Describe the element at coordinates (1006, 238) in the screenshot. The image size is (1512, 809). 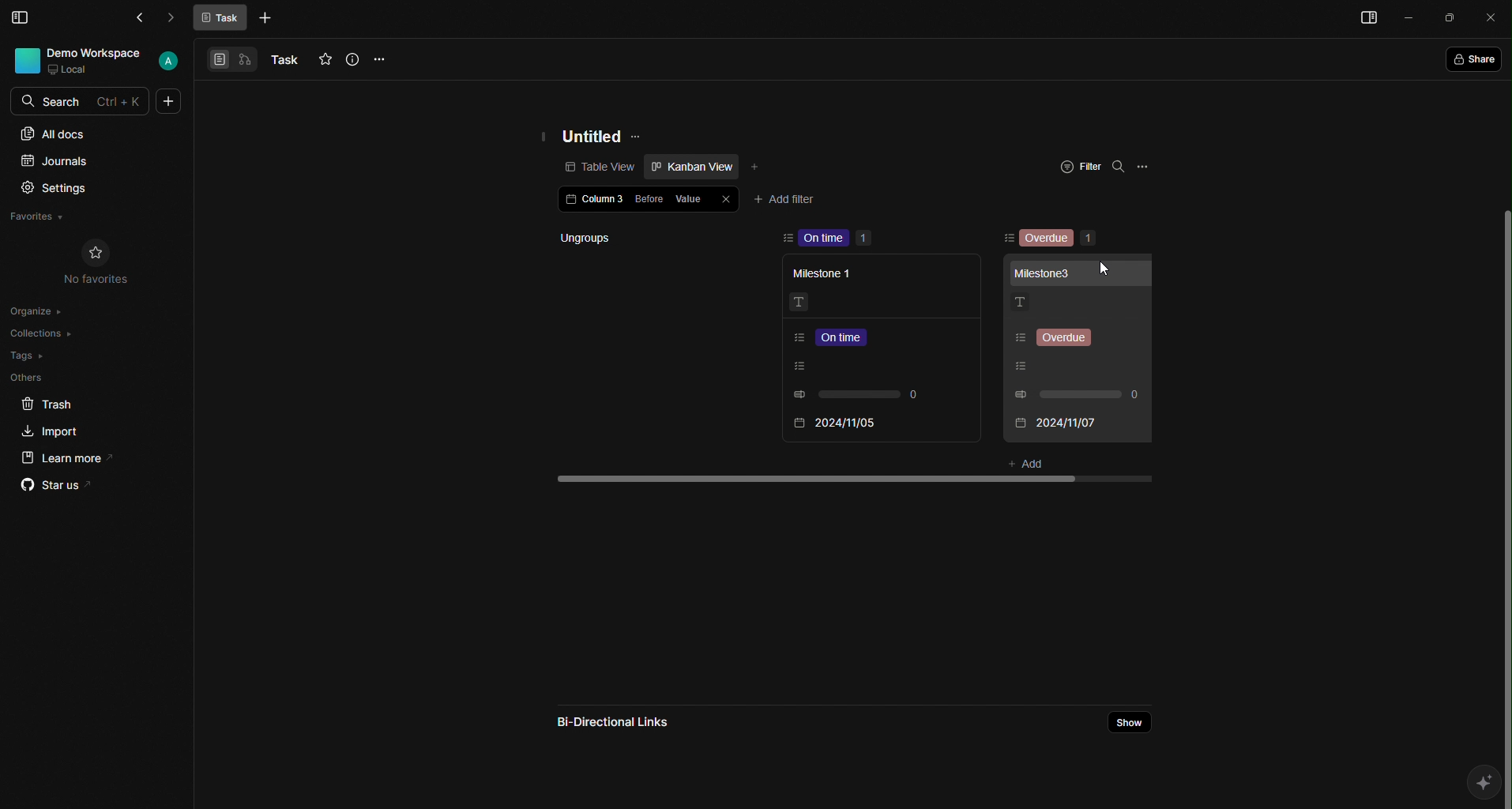
I see `Sorting` at that location.